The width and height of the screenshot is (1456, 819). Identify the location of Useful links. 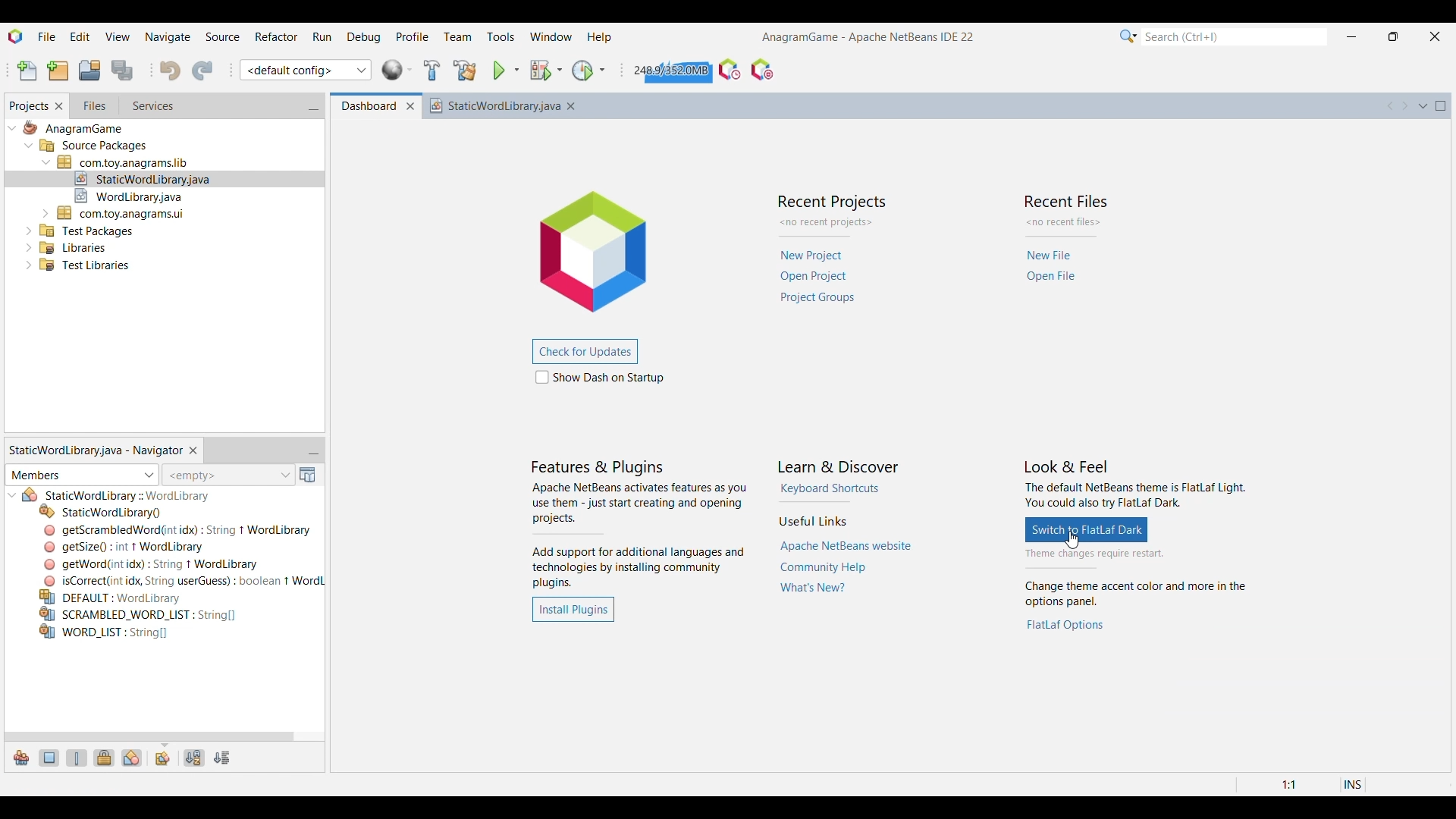
(846, 568).